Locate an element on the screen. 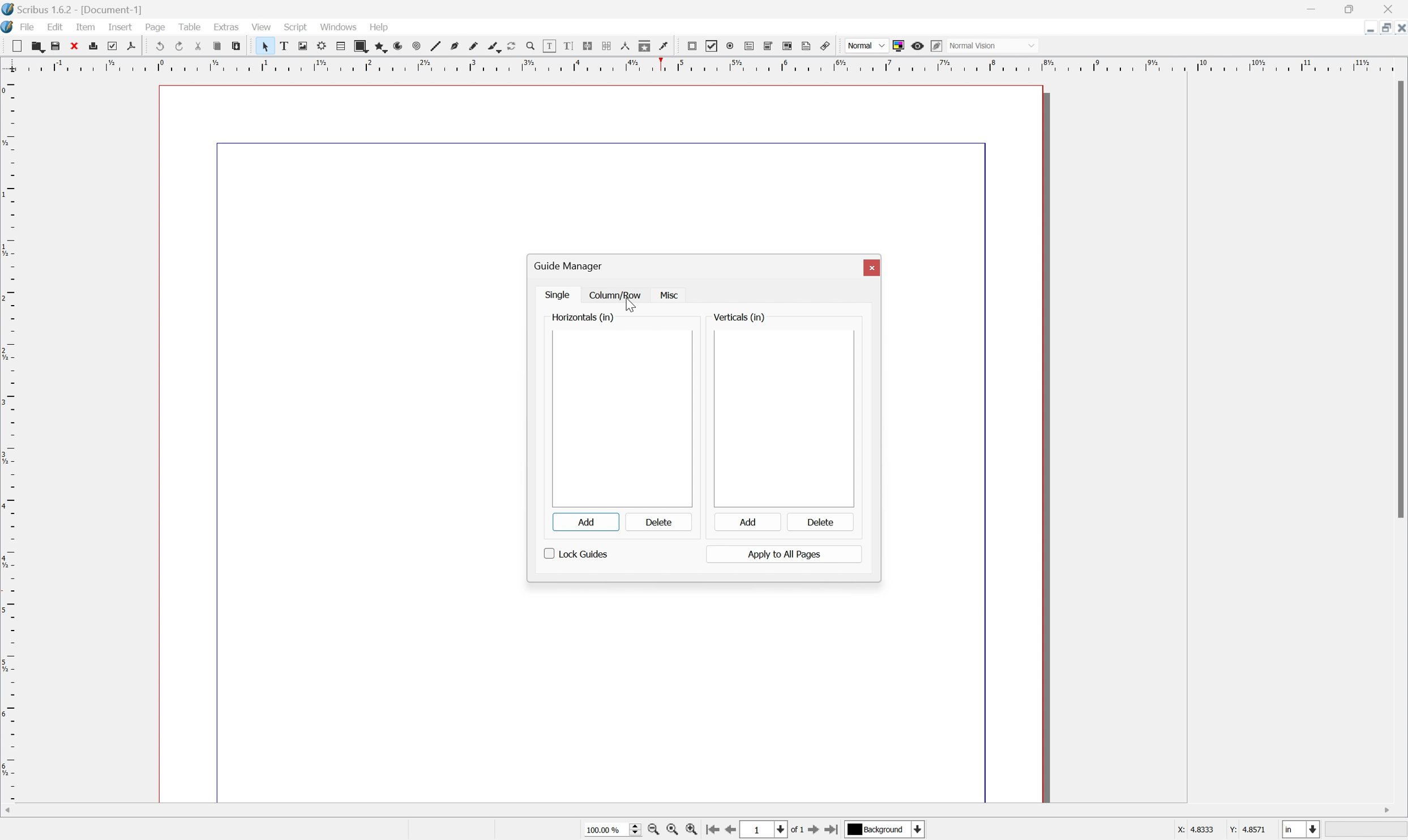 The height and width of the screenshot is (840, 1408). lock guides is located at coordinates (577, 555).